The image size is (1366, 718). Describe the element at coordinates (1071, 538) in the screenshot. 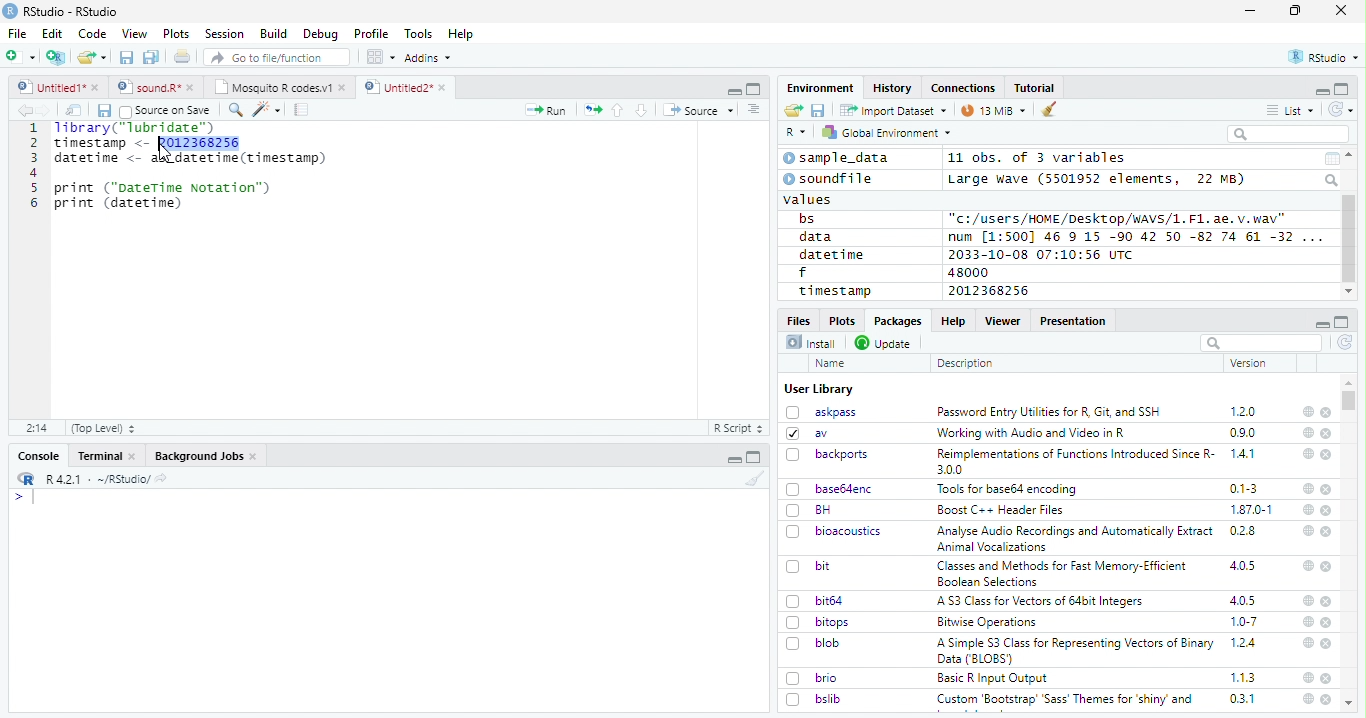

I see `Analyse Audio Recordings and Automatically ExtractAnimal Vocalizations` at that location.